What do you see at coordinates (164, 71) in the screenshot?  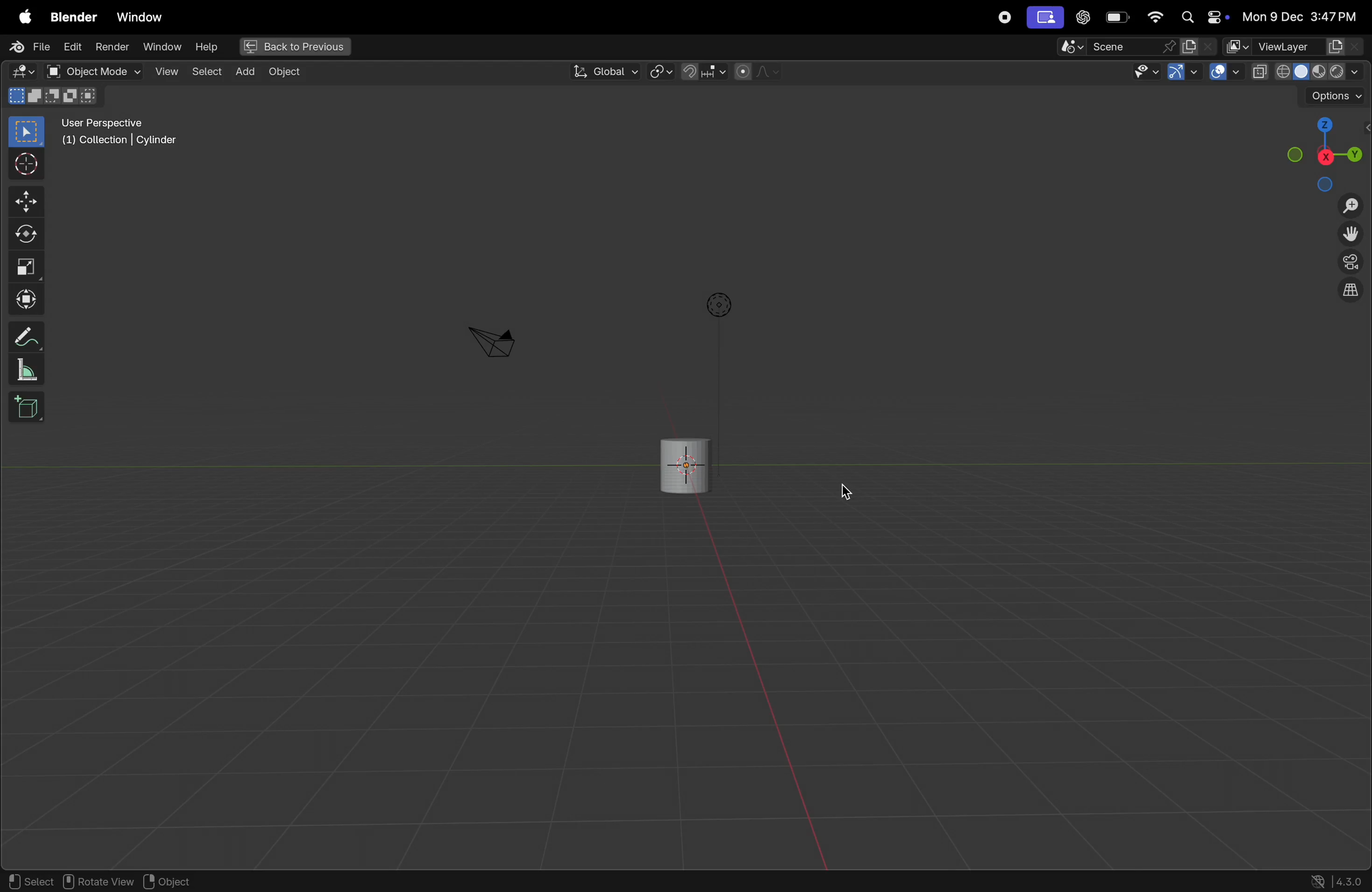 I see `view` at bounding box center [164, 71].